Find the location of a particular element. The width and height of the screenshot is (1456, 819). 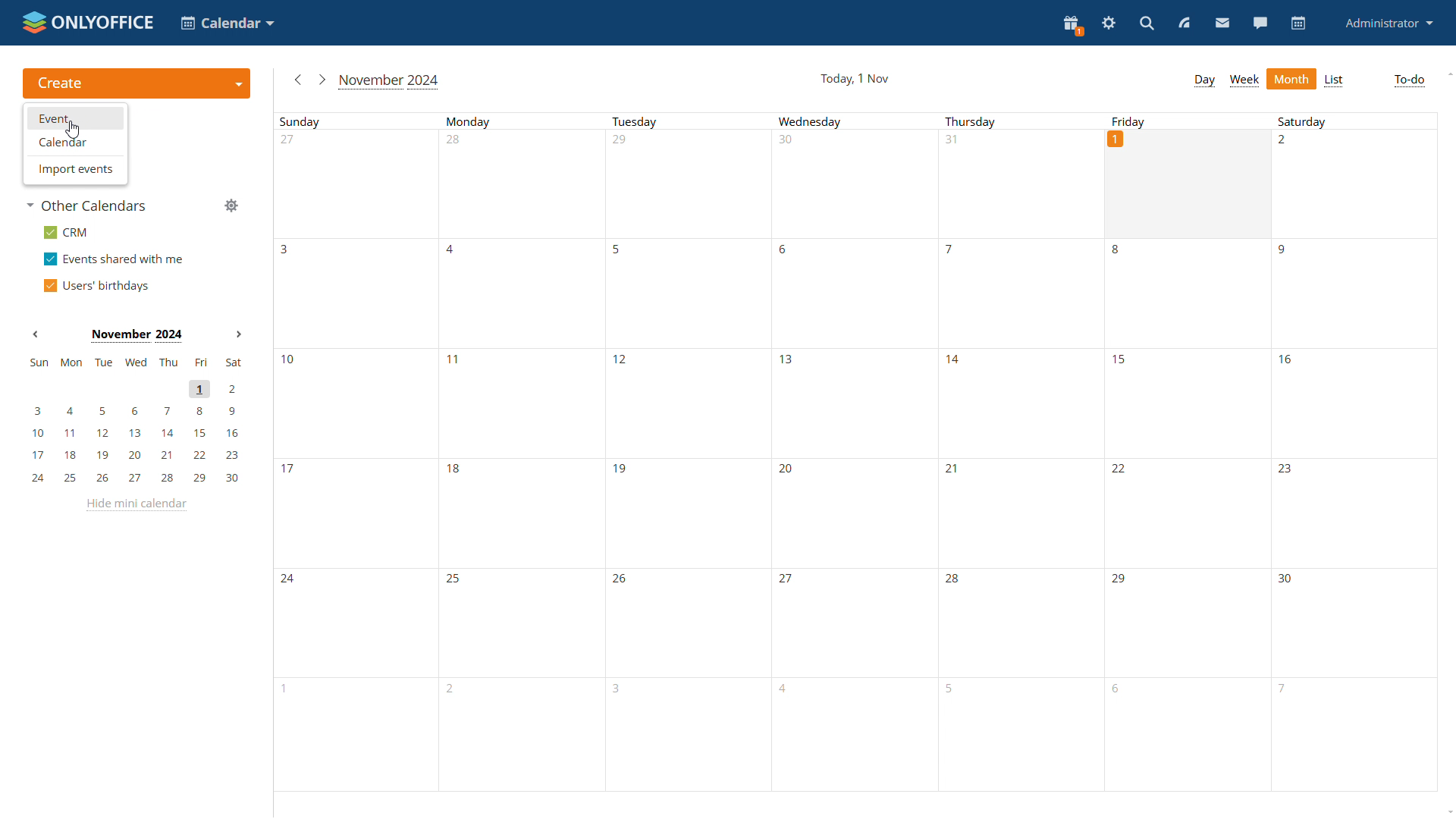

talk is located at coordinates (1260, 24).